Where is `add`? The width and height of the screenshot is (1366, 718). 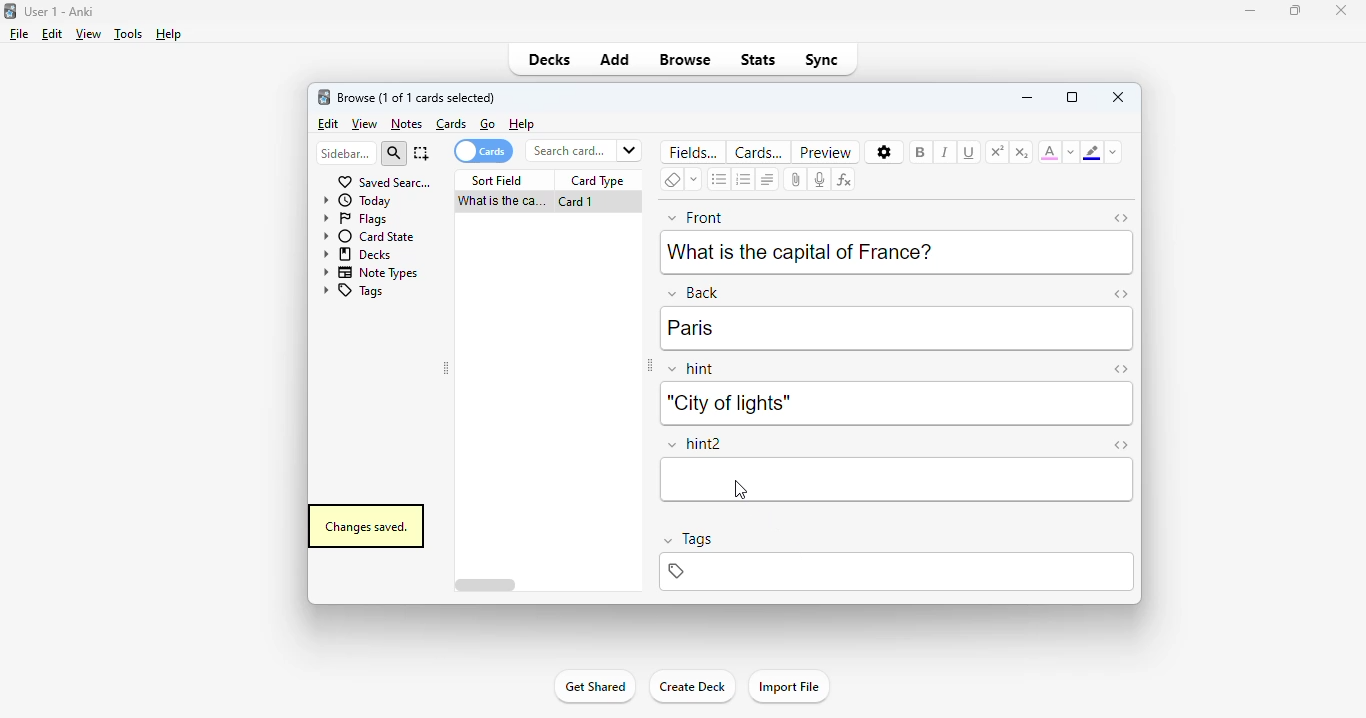
add is located at coordinates (615, 58).